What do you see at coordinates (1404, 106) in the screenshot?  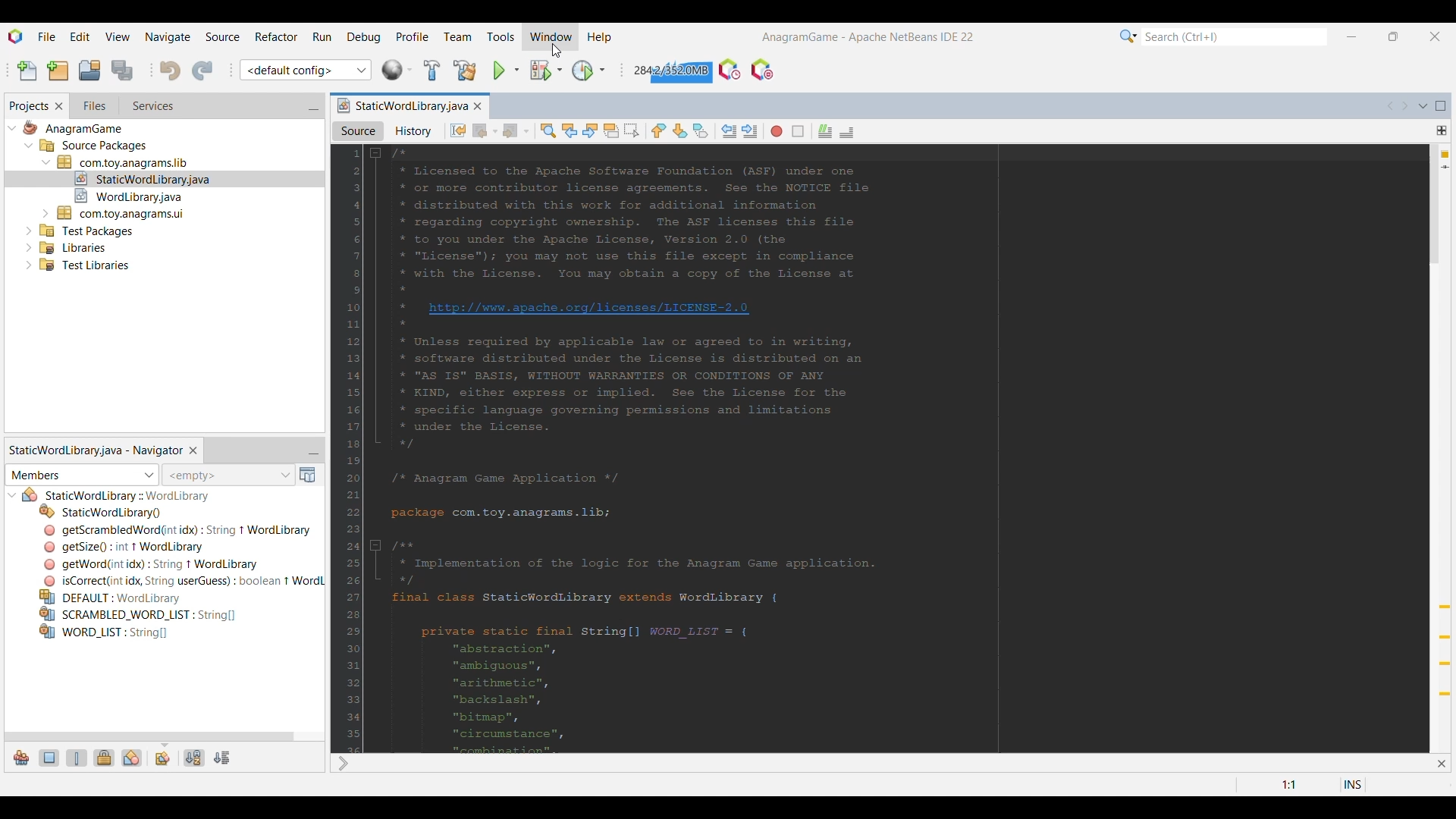 I see `Scroll documents right` at bounding box center [1404, 106].